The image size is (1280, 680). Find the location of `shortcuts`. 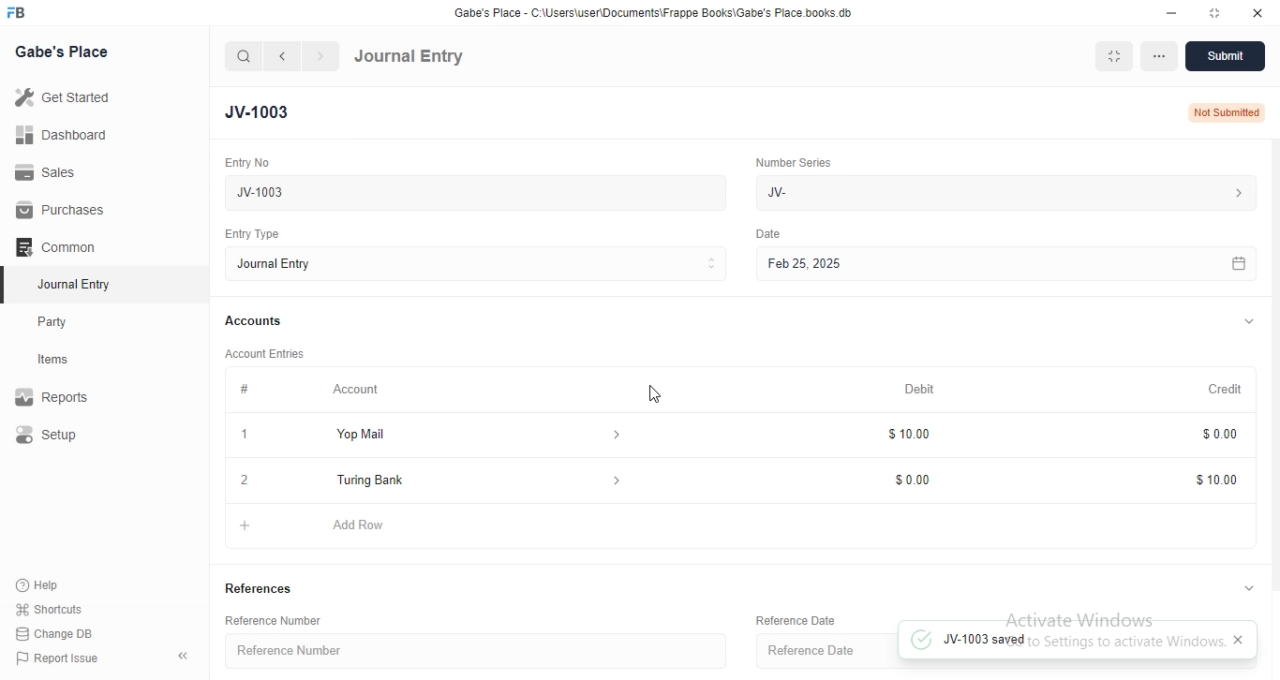

shortcuts is located at coordinates (62, 608).